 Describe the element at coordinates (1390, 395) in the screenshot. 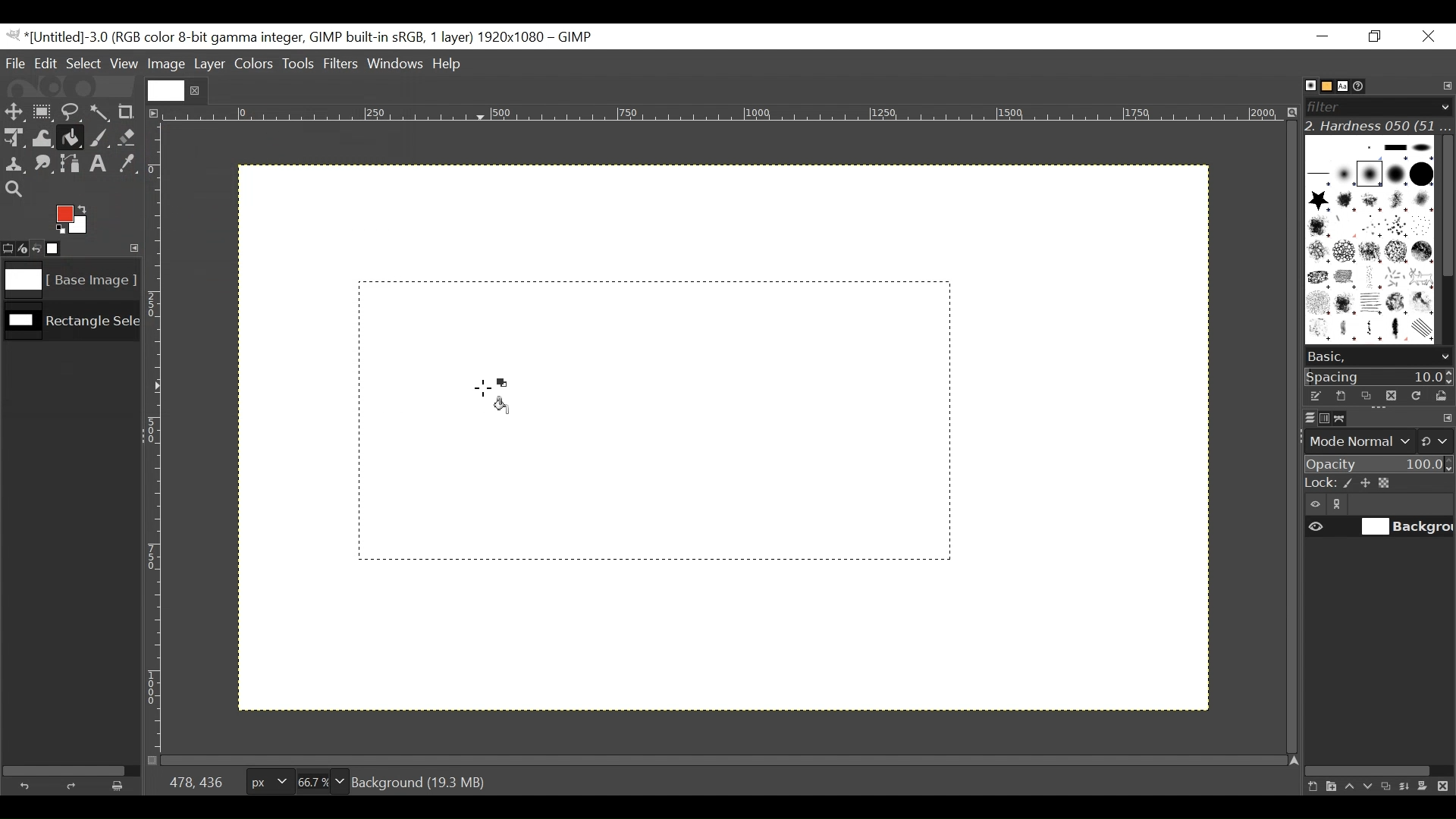

I see `Duplicate brush` at that location.